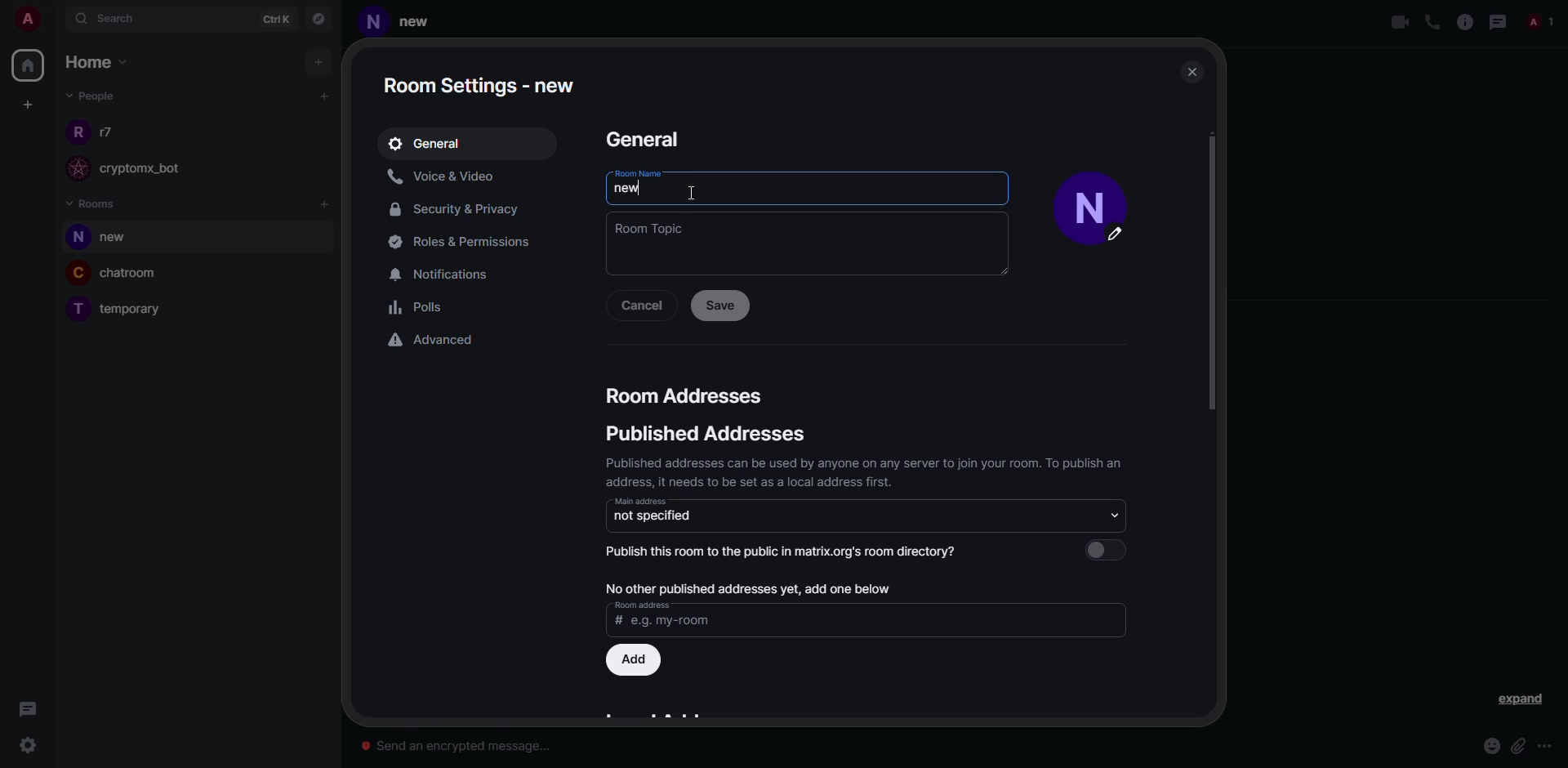 The height and width of the screenshot is (768, 1568). Describe the element at coordinates (1463, 21) in the screenshot. I see `info` at that location.